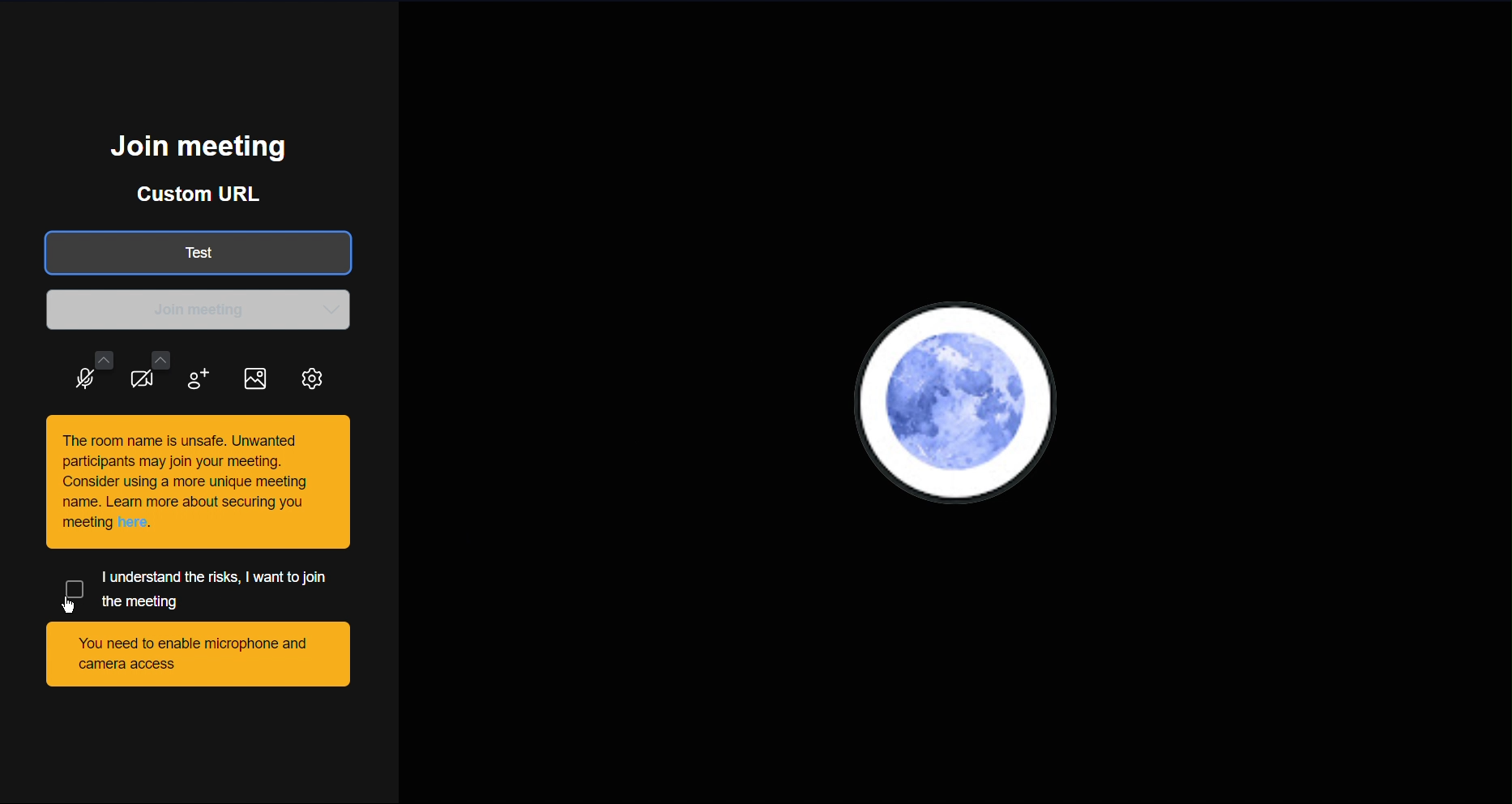 This screenshot has width=1512, height=804. Describe the element at coordinates (257, 371) in the screenshot. I see `Image` at that location.